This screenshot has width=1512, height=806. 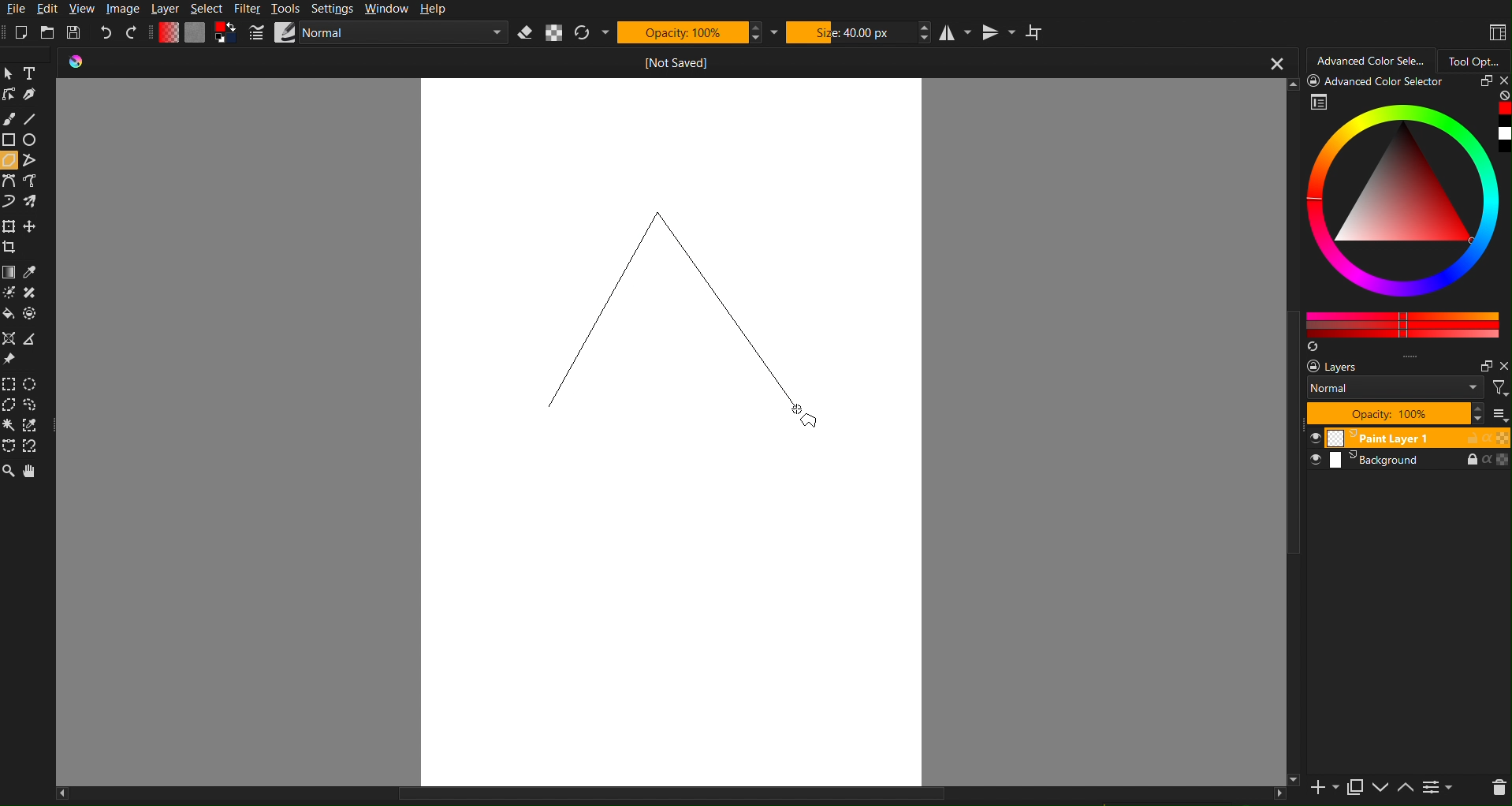 I want to click on Edit, so click(x=49, y=10).